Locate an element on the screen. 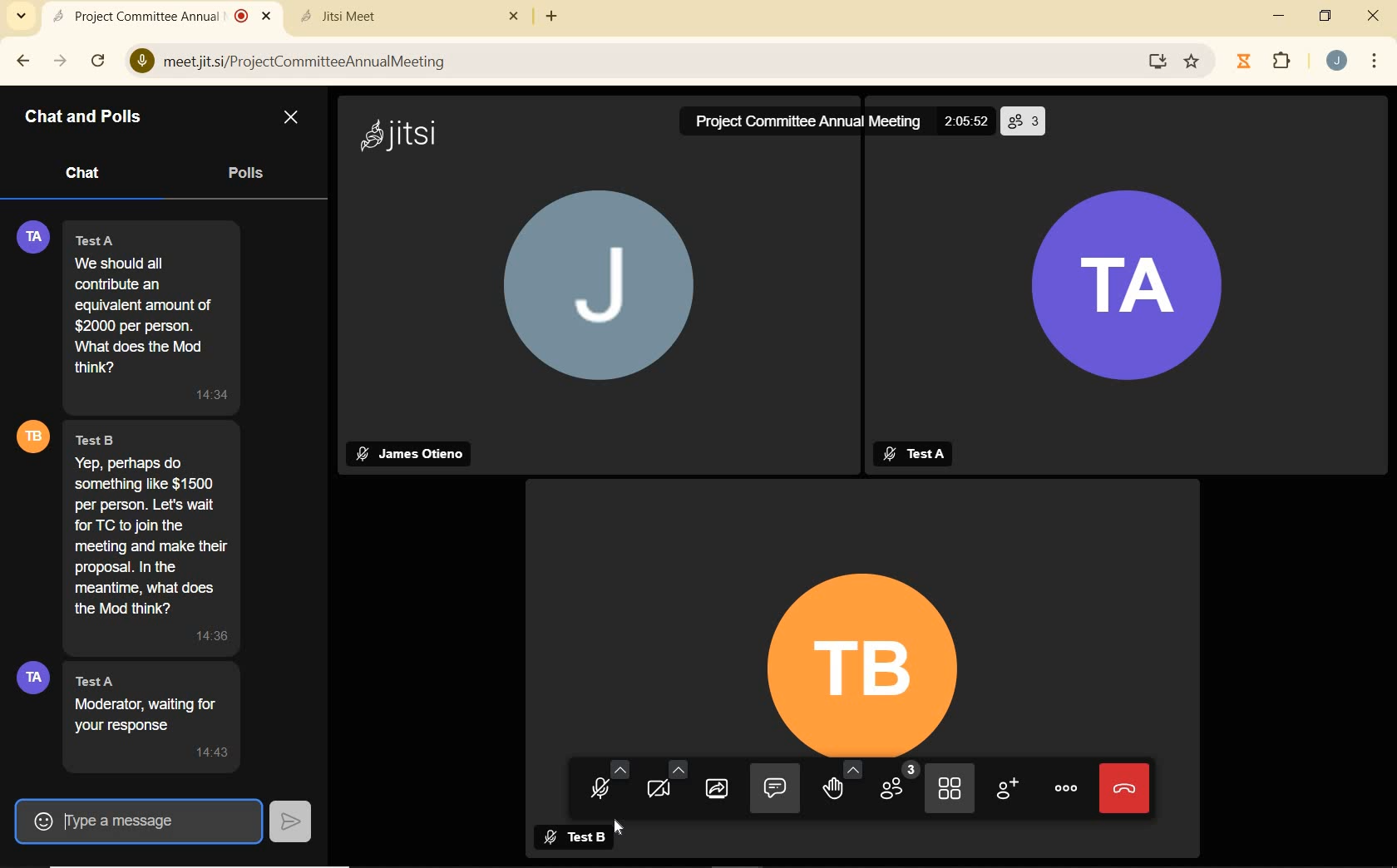  Sender Name -Test A is located at coordinates (107, 679).